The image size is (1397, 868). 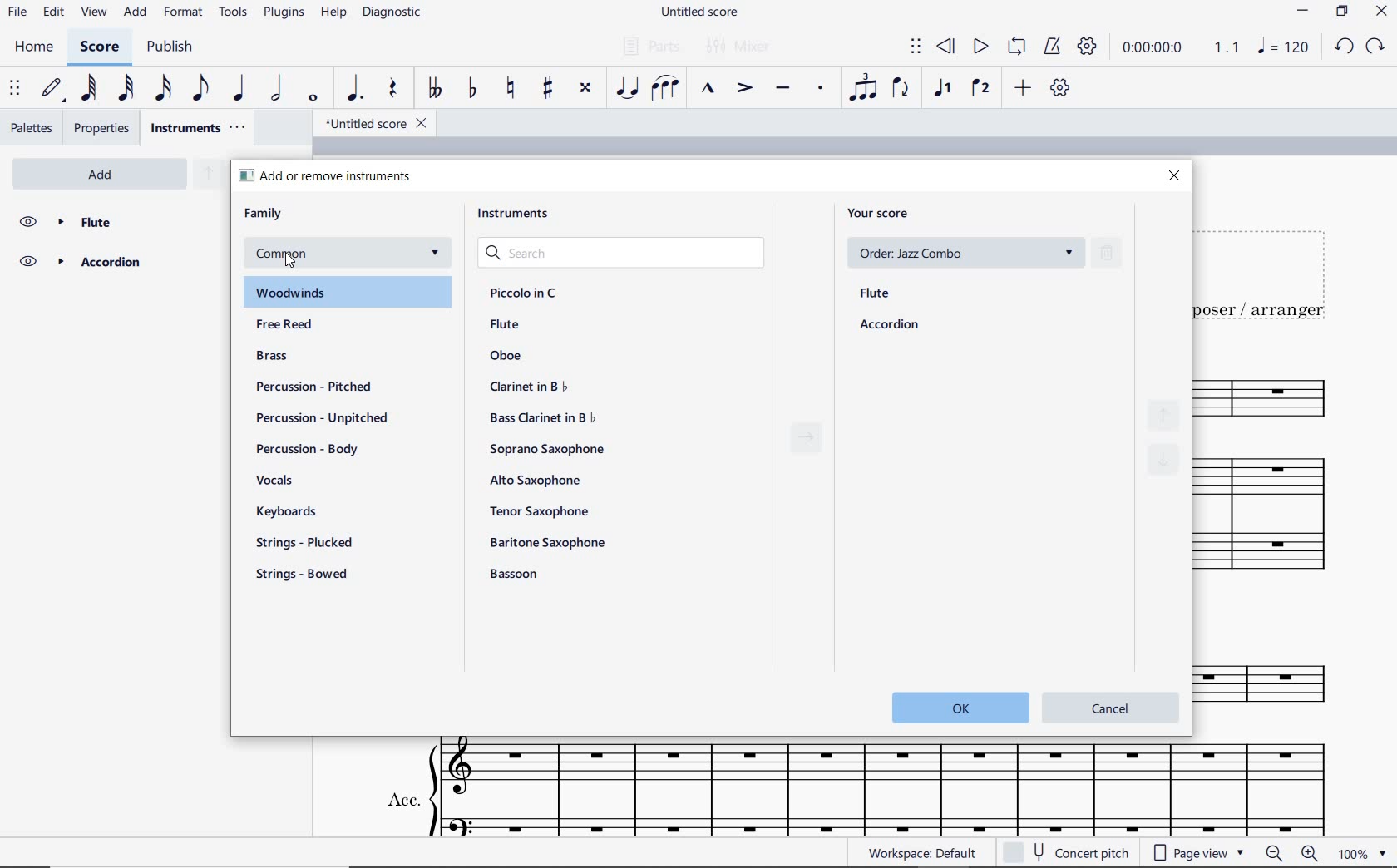 What do you see at coordinates (949, 47) in the screenshot?
I see `rewind` at bounding box center [949, 47].